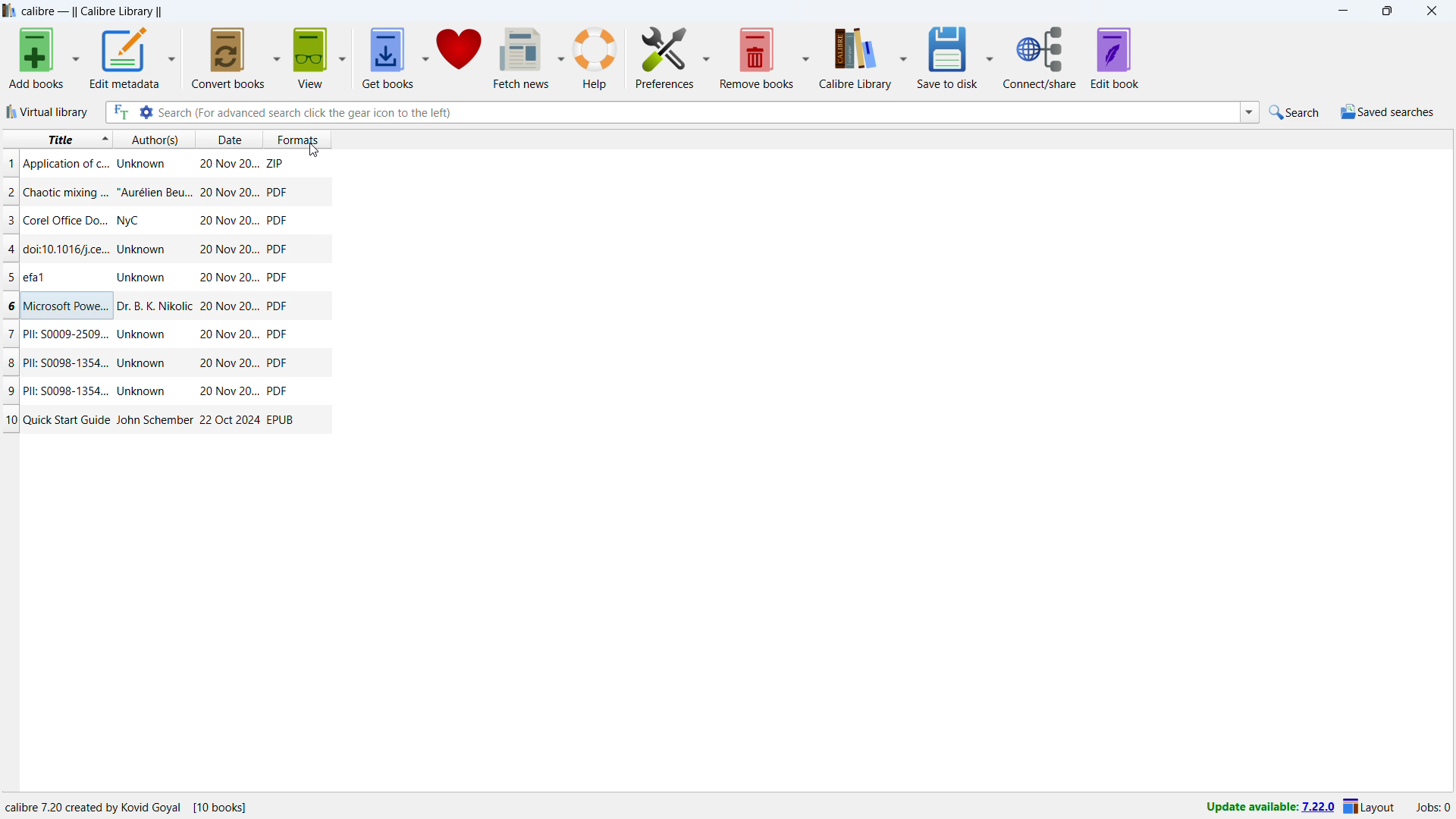 The height and width of the screenshot is (819, 1456). What do you see at coordinates (230, 419) in the screenshot?
I see `date` at bounding box center [230, 419].